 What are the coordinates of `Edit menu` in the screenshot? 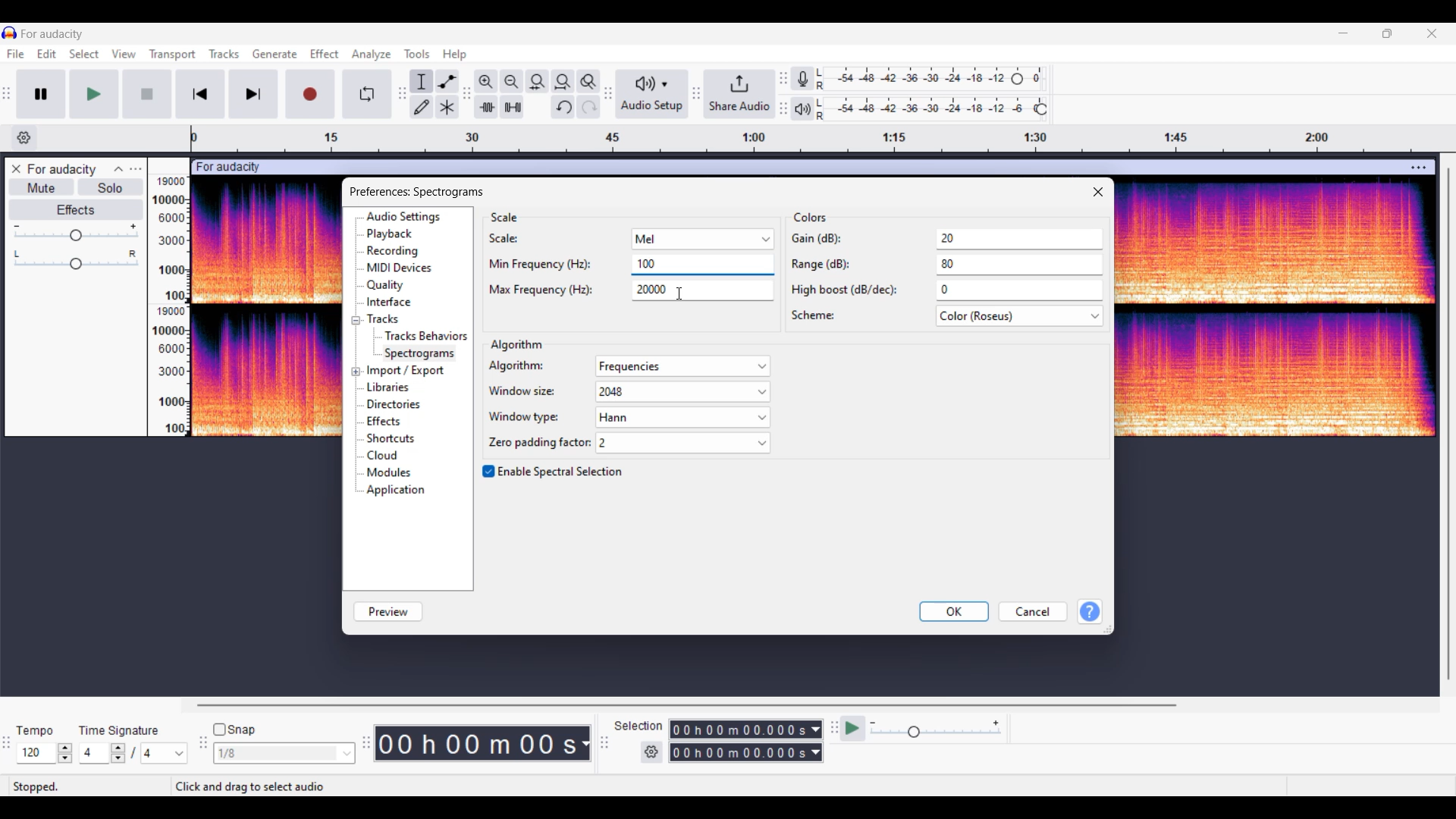 It's located at (46, 54).